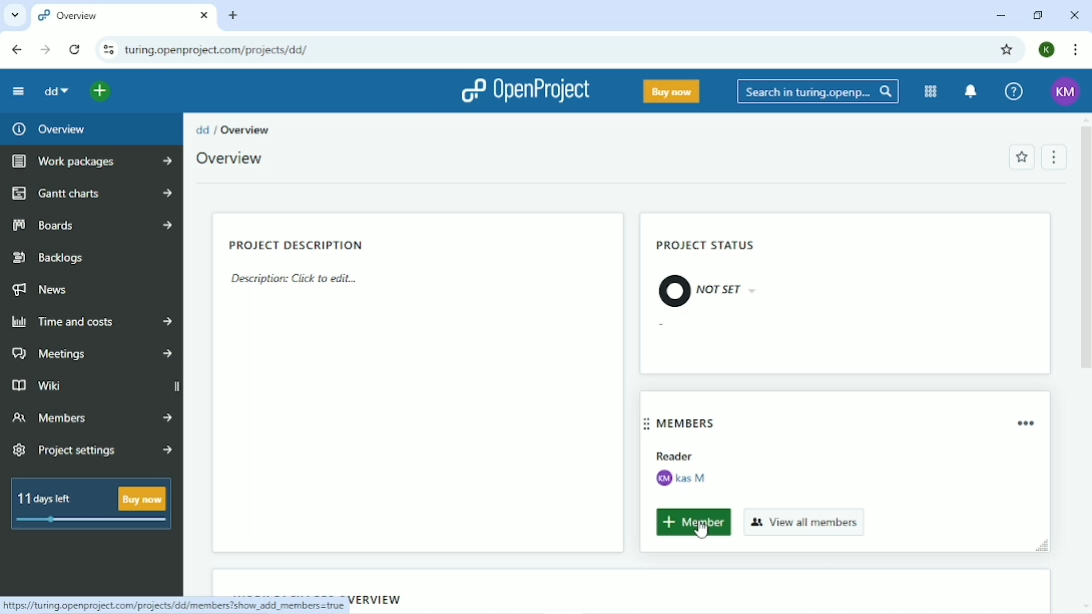 The height and width of the screenshot is (614, 1092). I want to click on Gantt charts, so click(89, 193).